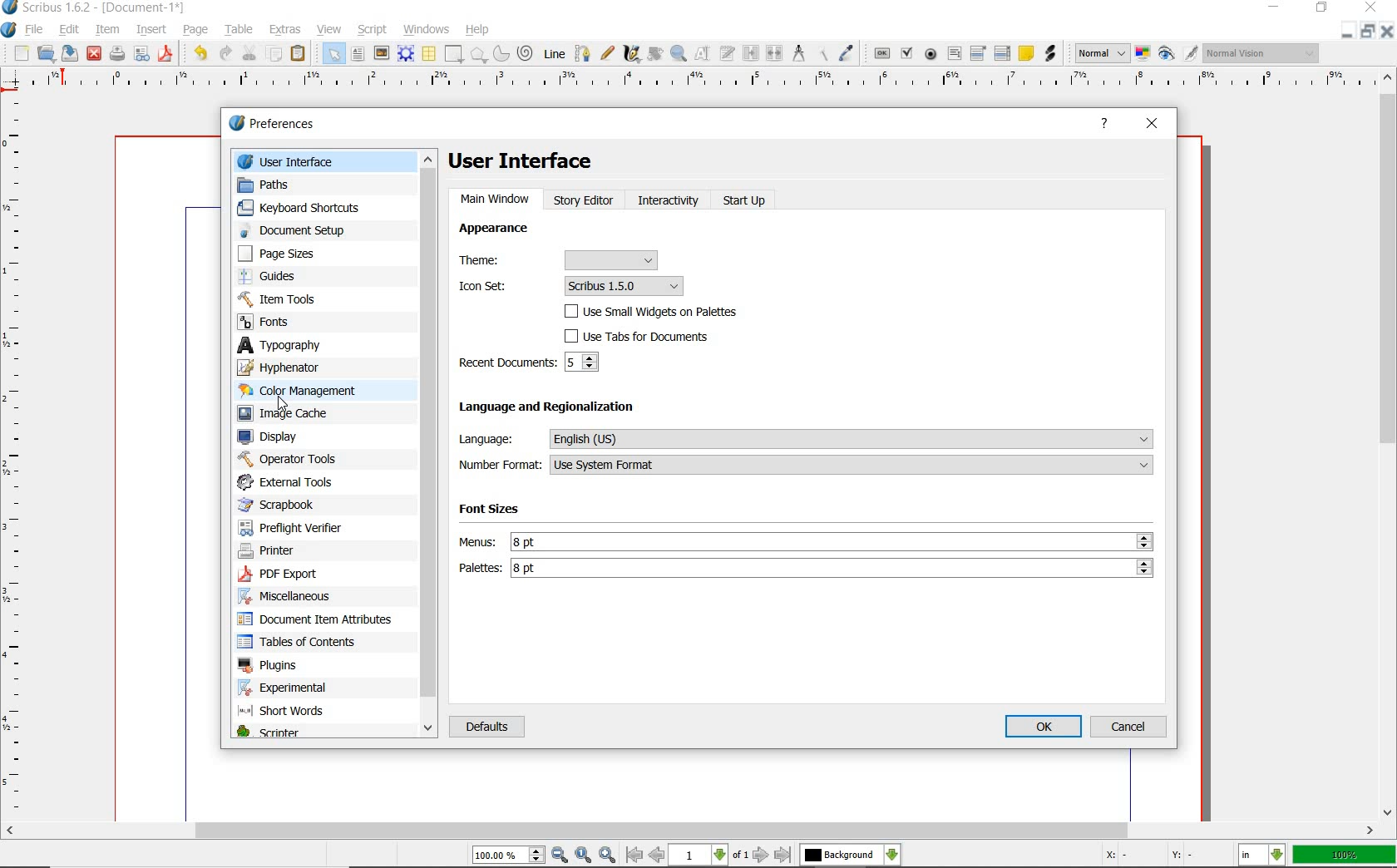  I want to click on select image preview mode, so click(1103, 52).